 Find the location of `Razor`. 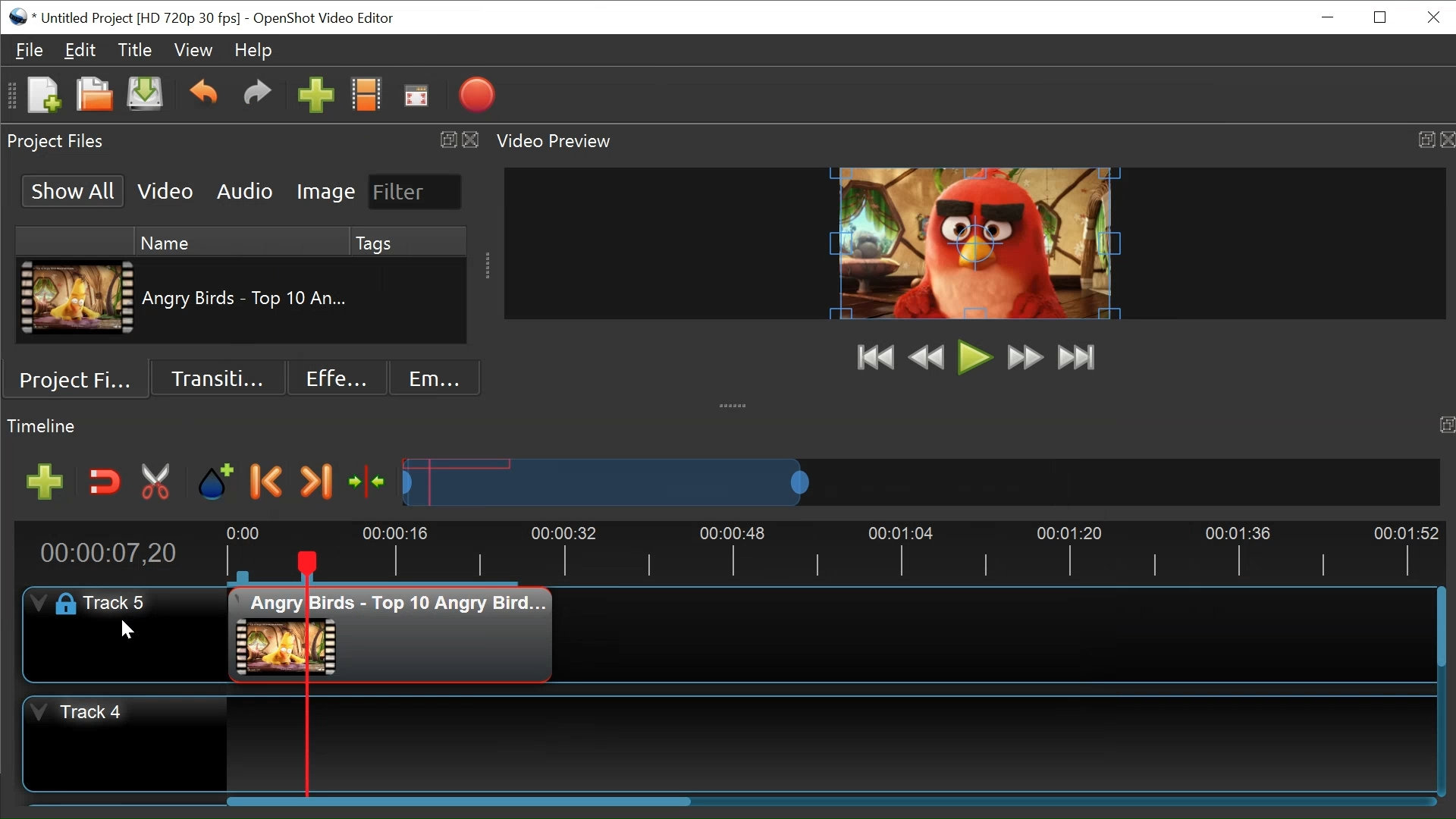

Razor is located at coordinates (158, 482).